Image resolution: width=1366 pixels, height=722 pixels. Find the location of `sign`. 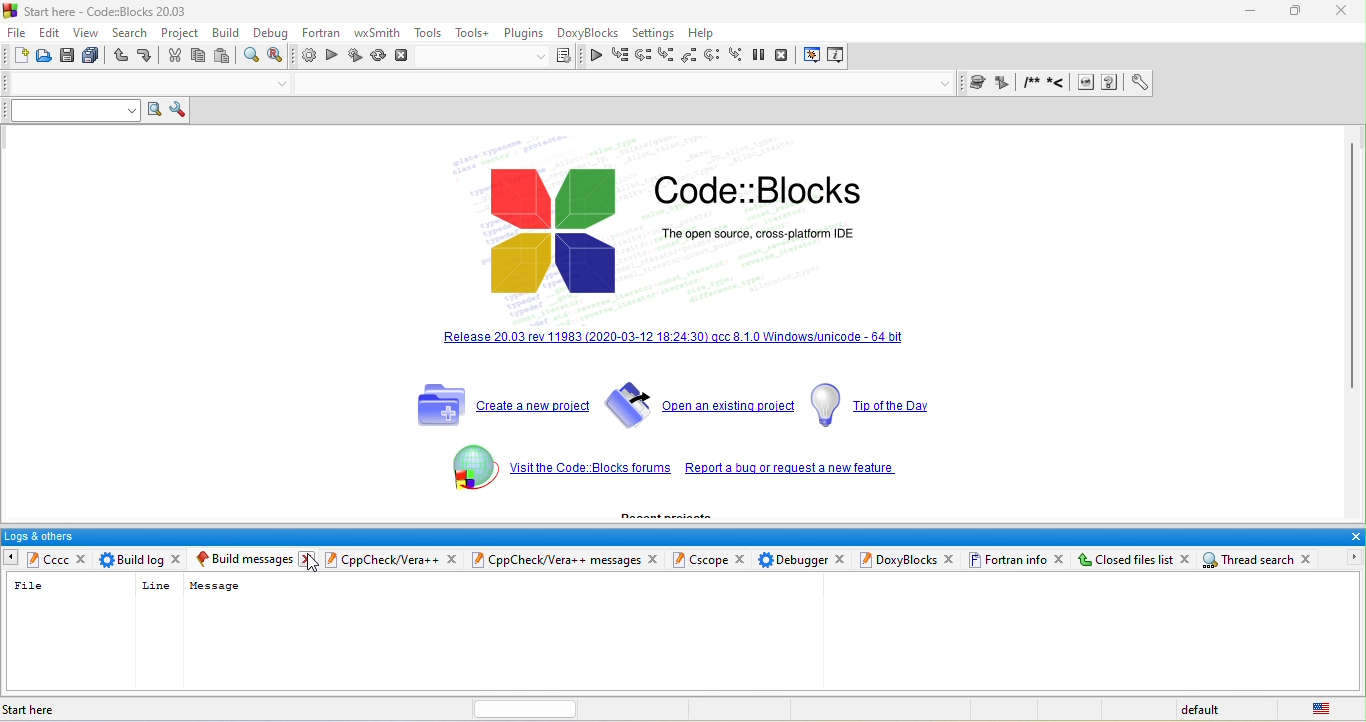

sign is located at coordinates (462, 473).